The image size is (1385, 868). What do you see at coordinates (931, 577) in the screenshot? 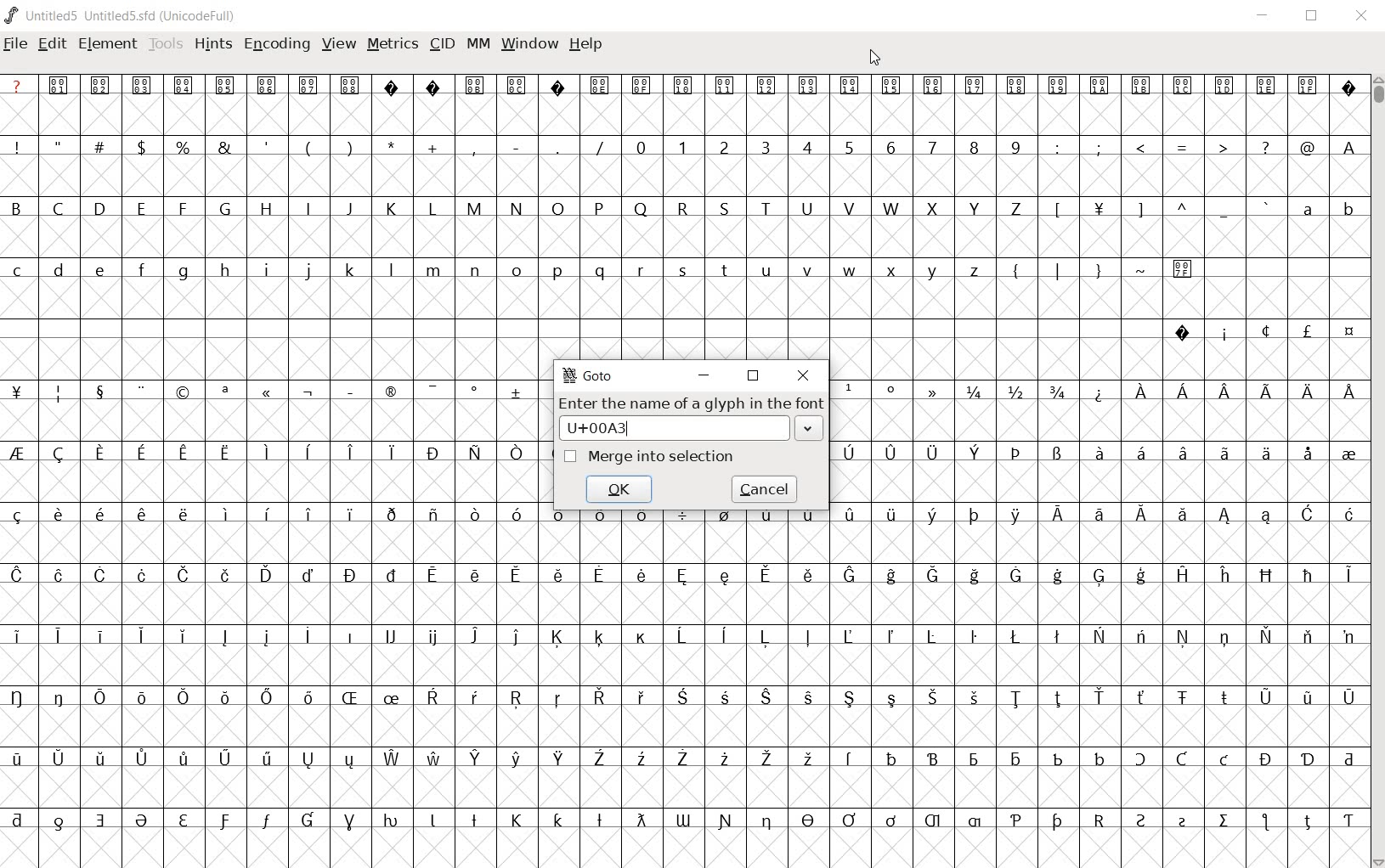
I see `Symbol` at bounding box center [931, 577].